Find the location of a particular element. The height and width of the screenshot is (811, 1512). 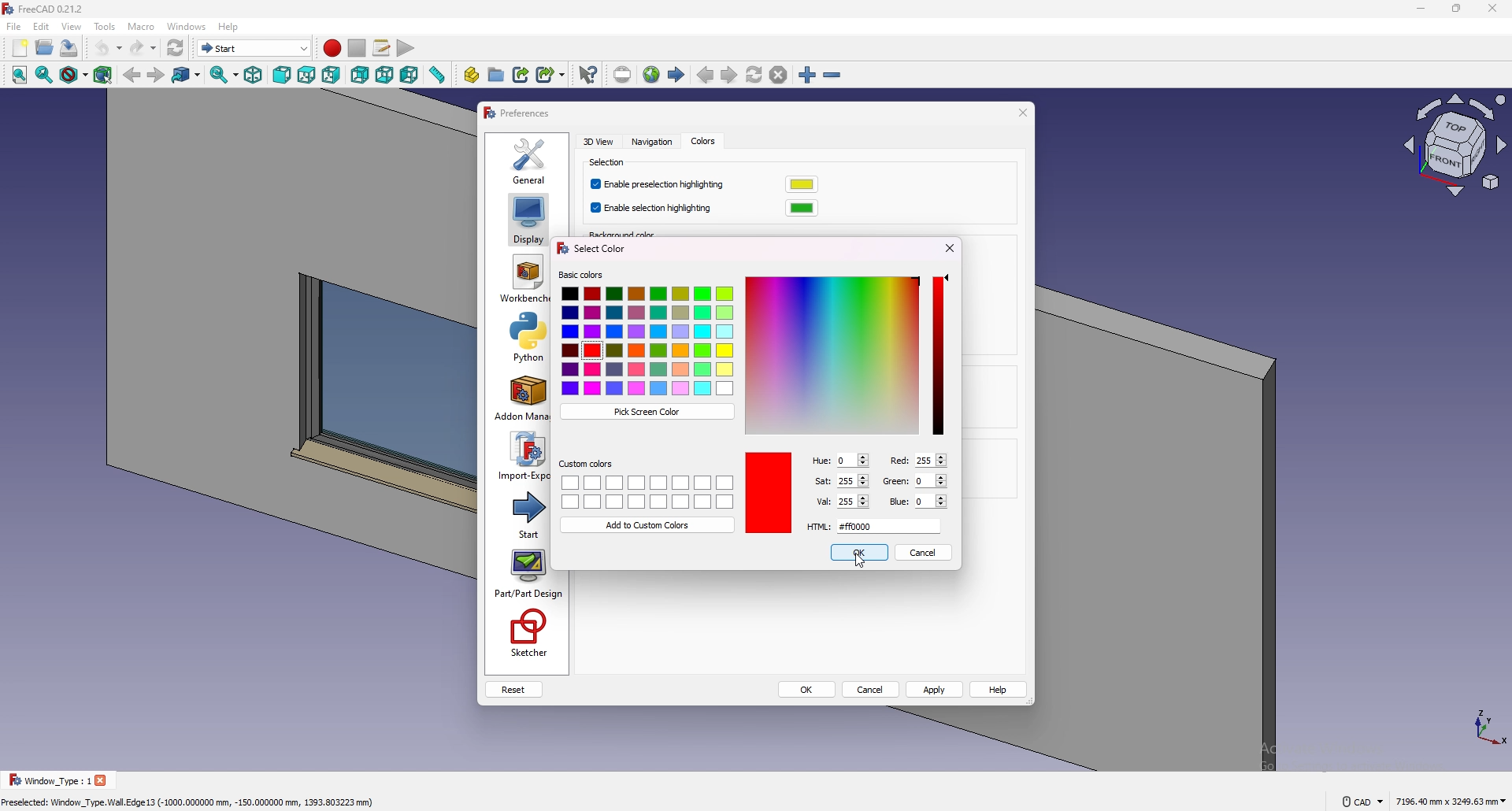

open is located at coordinates (46, 47).